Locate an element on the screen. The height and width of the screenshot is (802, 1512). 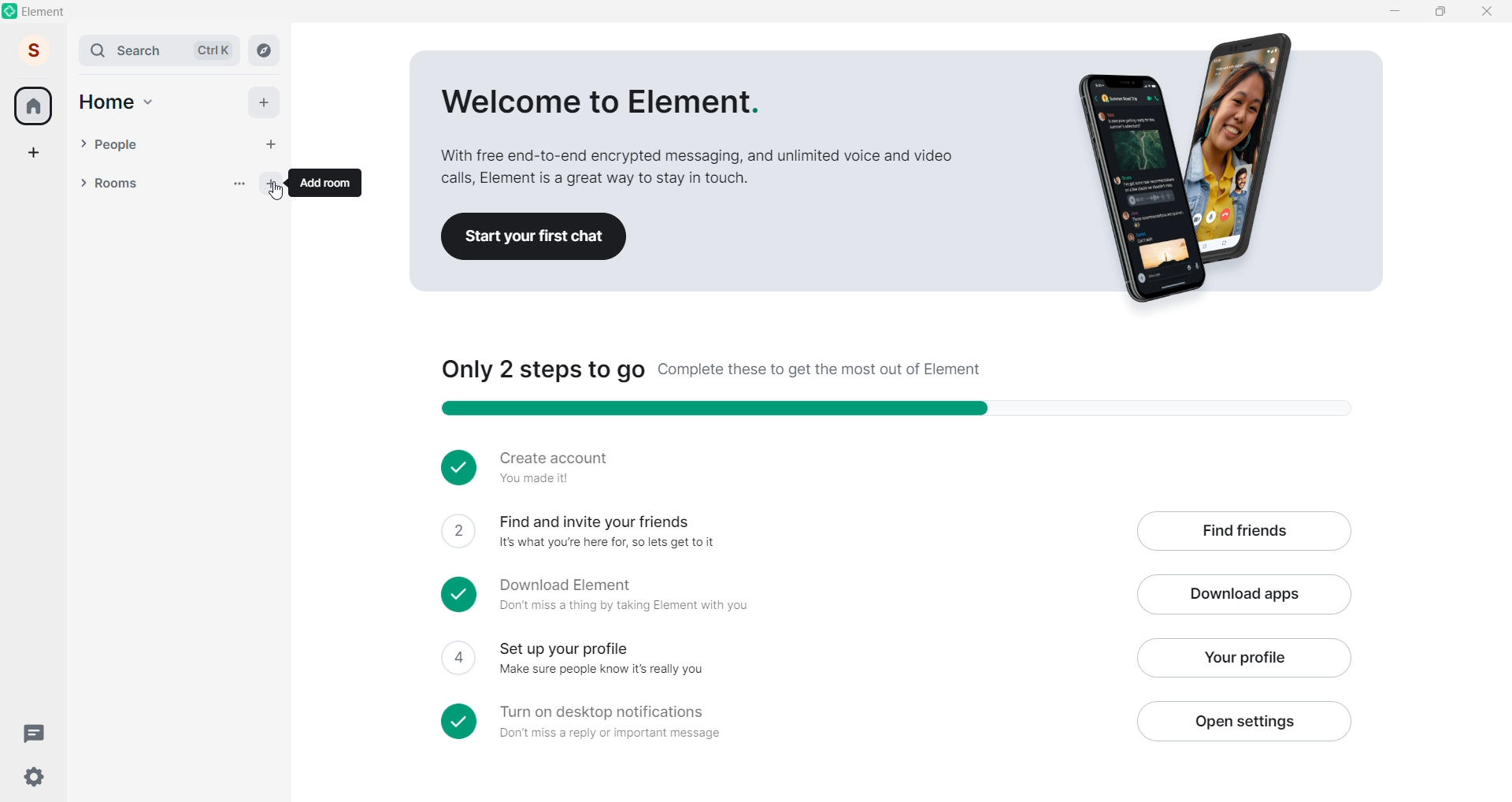
Element is located at coordinates (46, 12).